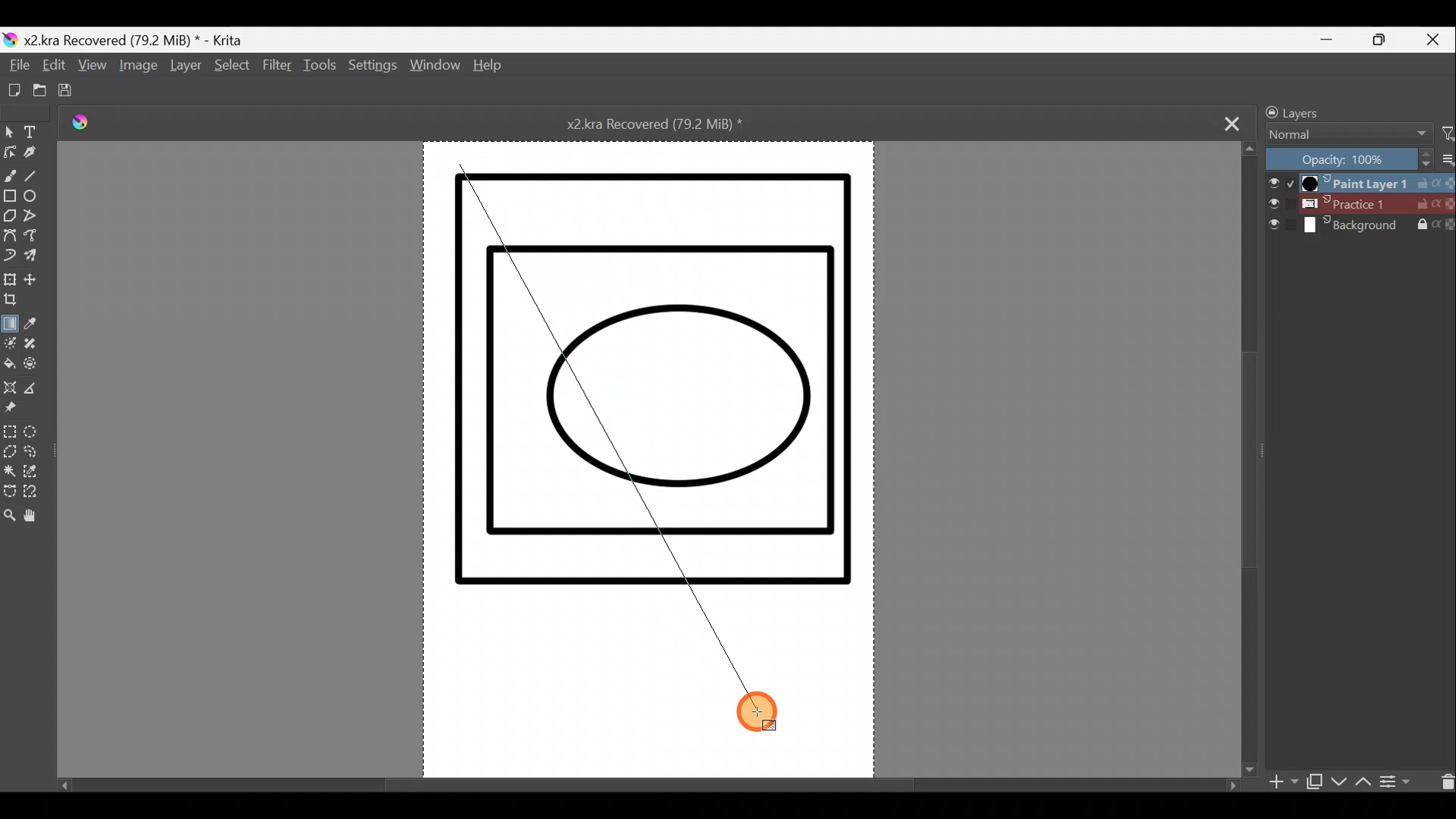 The image size is (1456, 819). What do you see at coordinates (93, 69) in the screenshot?
I see `View` at bounding box center [93, 69].